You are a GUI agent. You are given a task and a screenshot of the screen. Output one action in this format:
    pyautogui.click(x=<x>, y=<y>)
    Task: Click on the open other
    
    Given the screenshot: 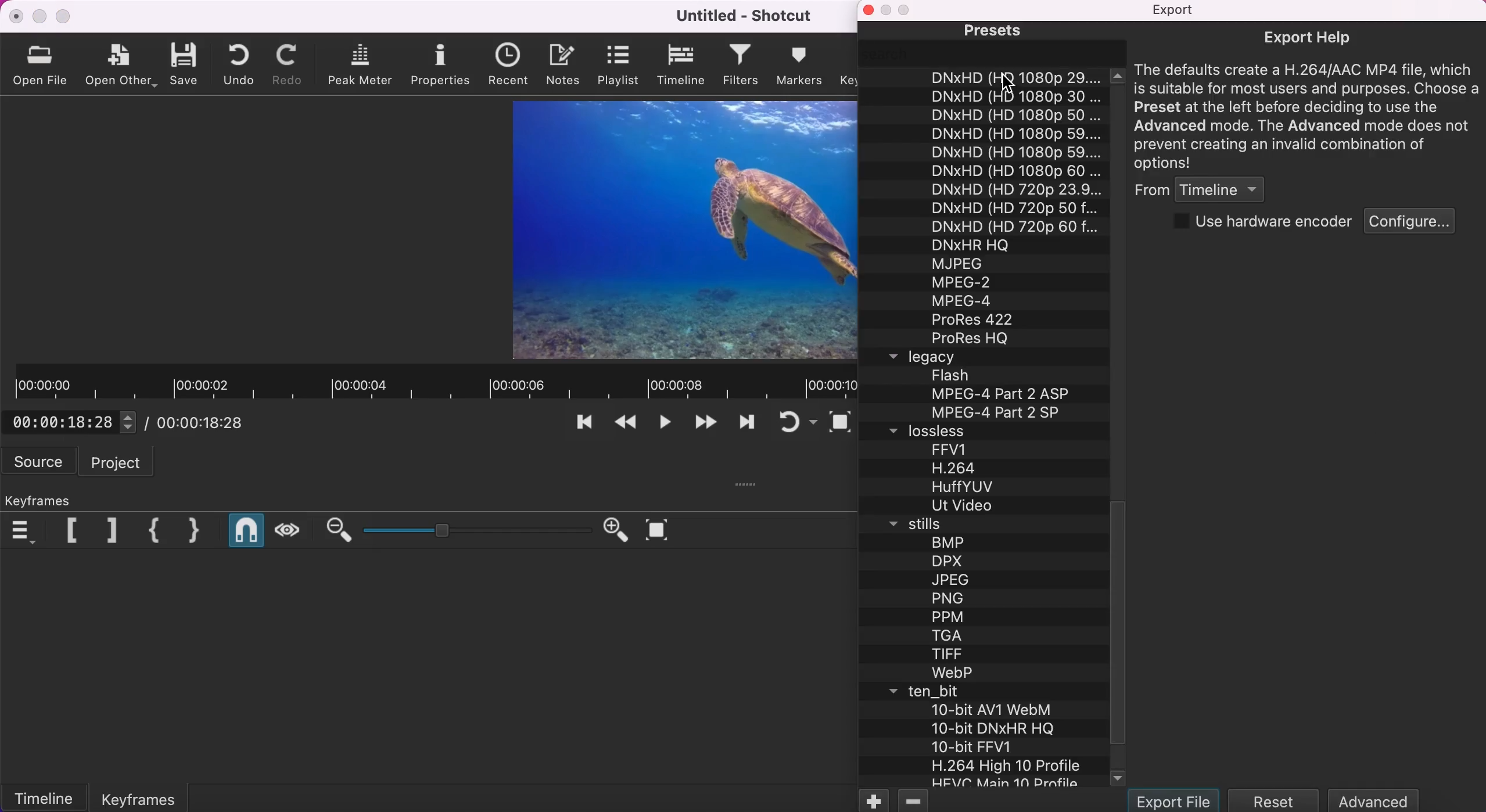 What is the action you would take?
    pyautogui.click(x=121, y=65)
    